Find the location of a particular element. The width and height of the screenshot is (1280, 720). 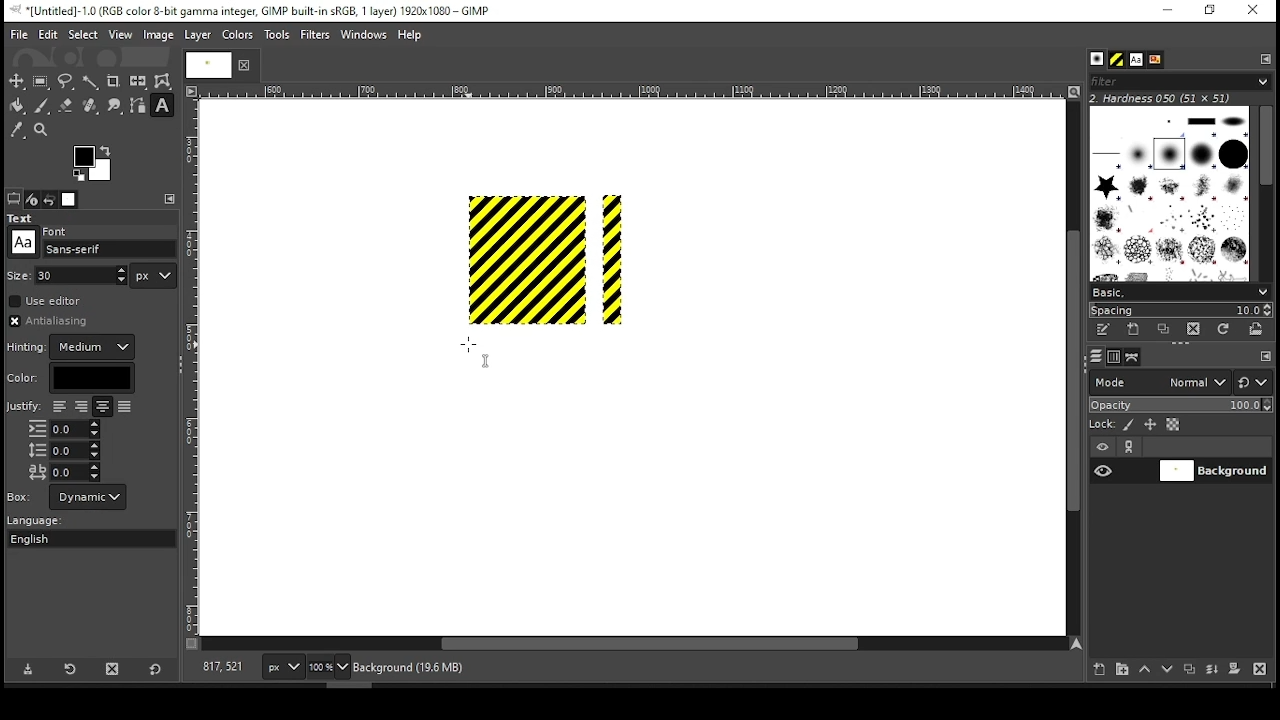

move layer one step up is located at coordinates (1145, 671).